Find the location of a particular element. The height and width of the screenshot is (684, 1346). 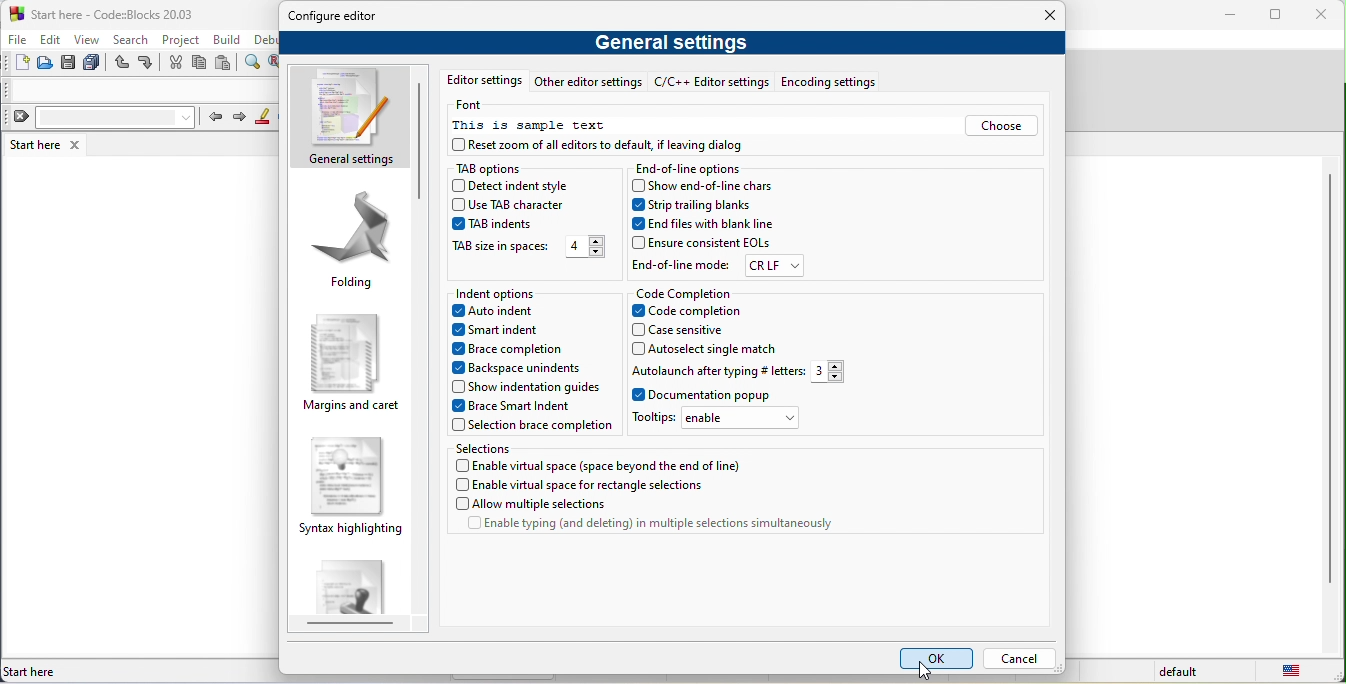

save everything is located at coordinates (96, 66).